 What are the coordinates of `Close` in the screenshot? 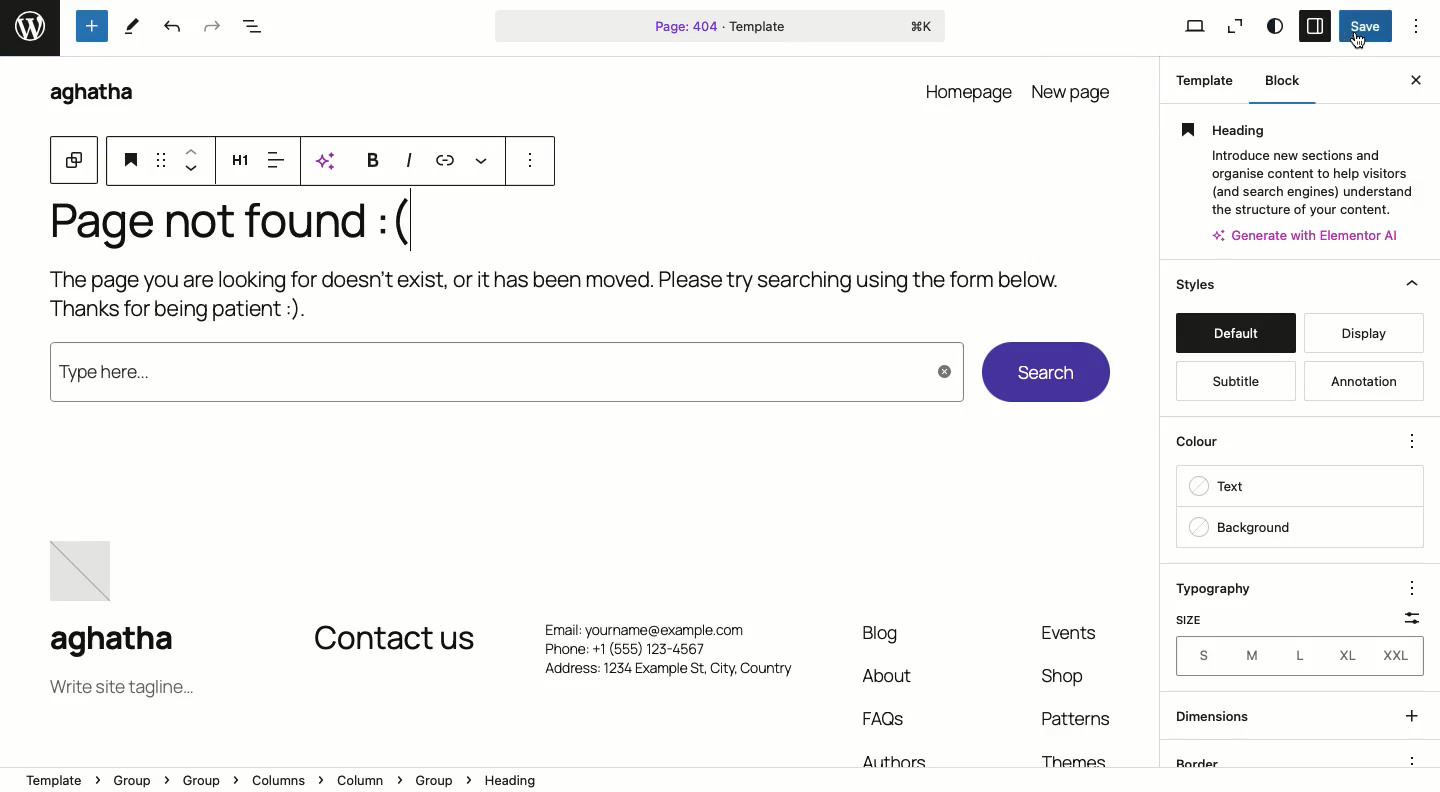 It's located at (1418, 81).